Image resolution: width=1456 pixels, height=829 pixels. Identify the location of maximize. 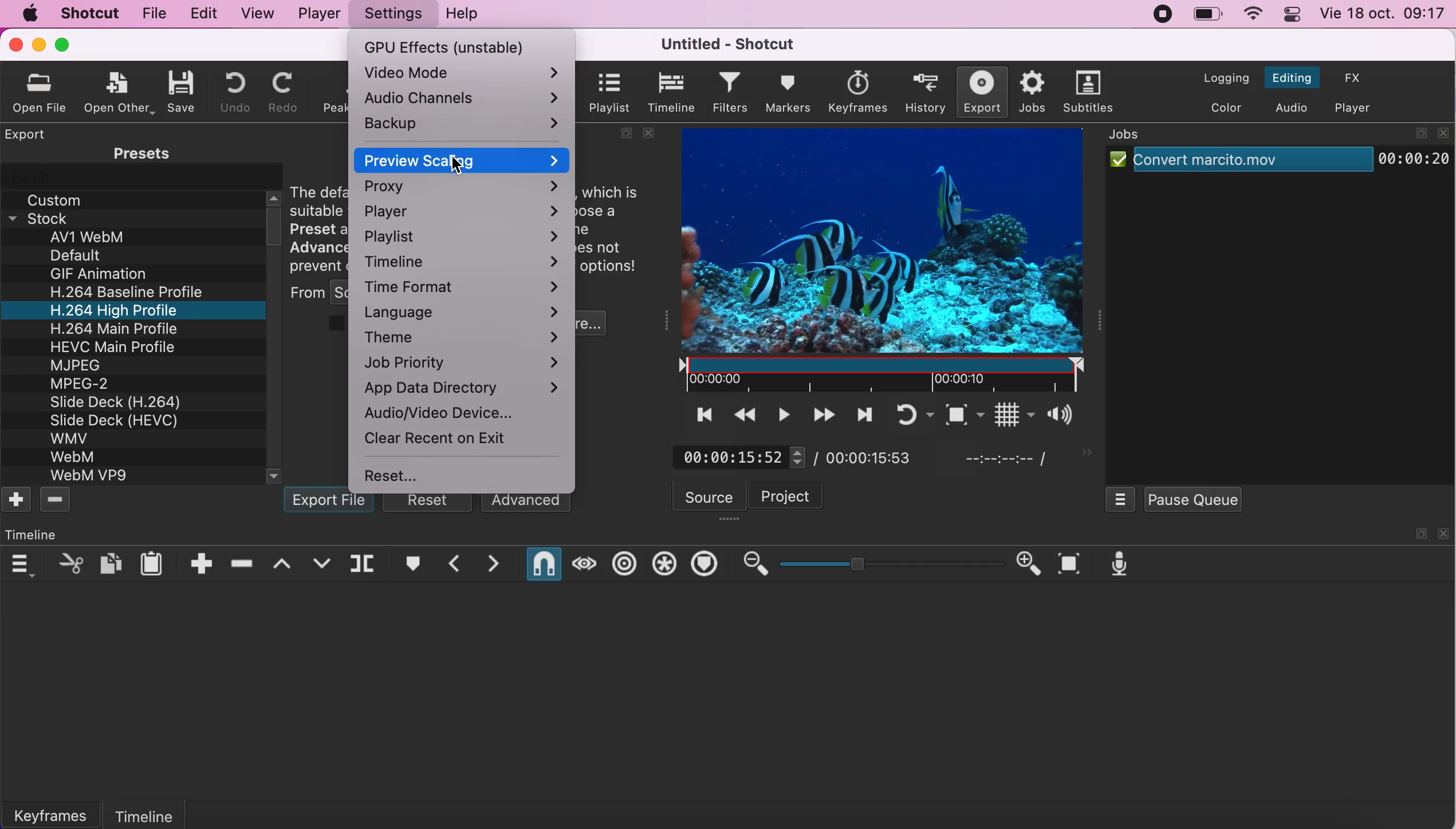
(1419, 132).